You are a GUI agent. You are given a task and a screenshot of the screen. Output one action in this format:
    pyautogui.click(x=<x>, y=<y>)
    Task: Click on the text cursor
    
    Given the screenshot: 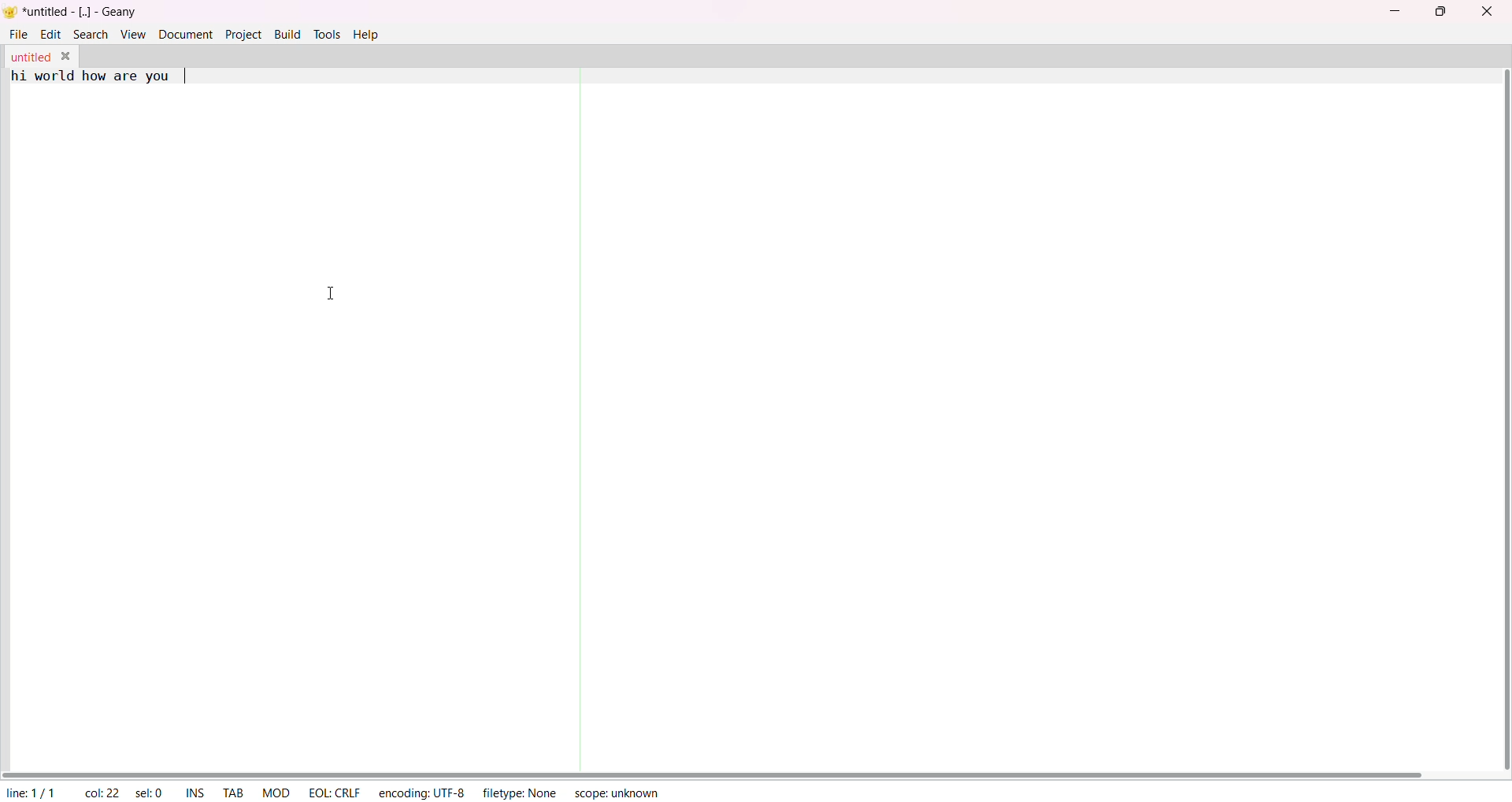 What is the action you would take?
    pyautogui.click(x=190, y=76)
    